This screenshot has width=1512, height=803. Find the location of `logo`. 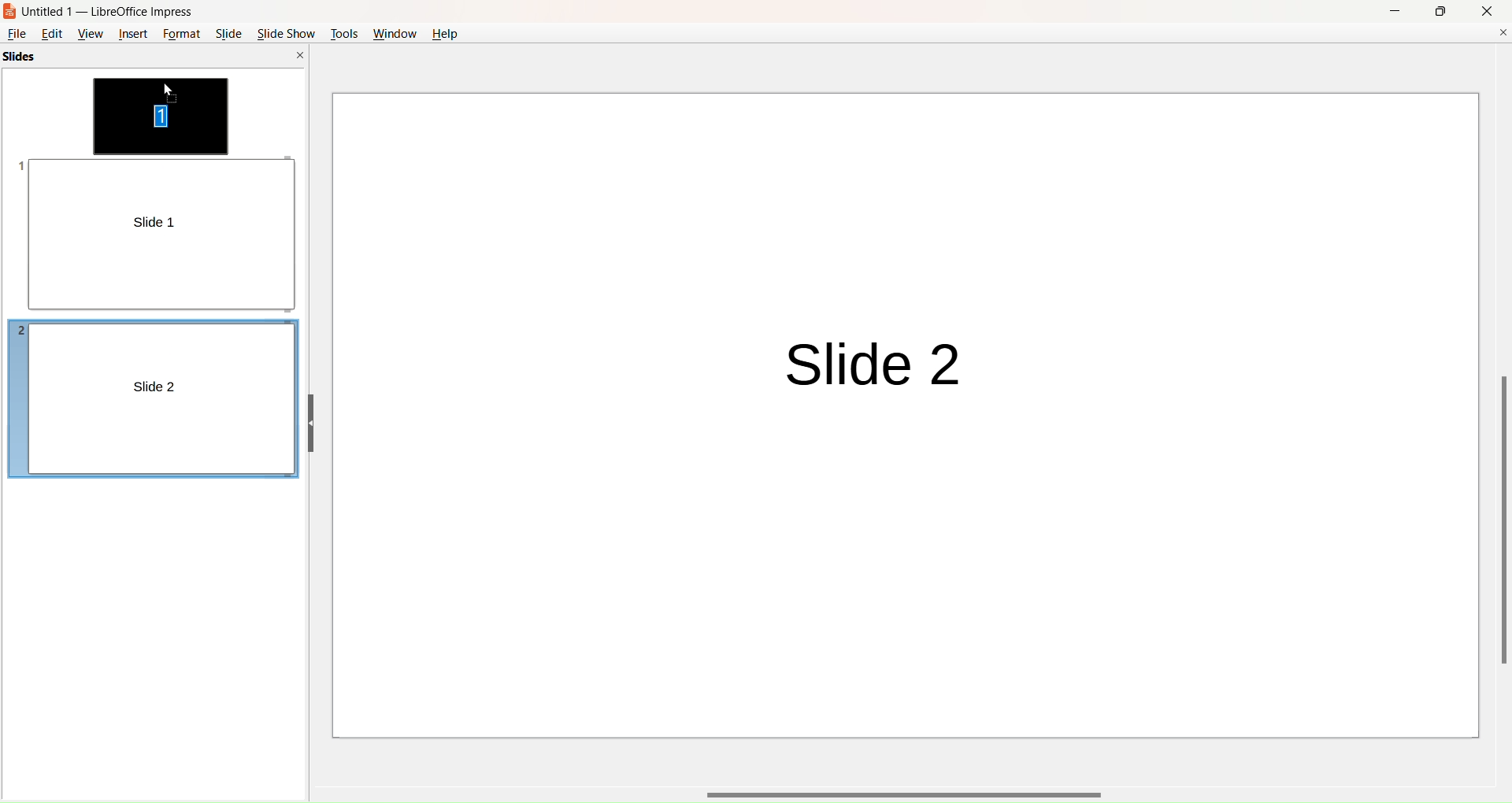

logo is located at coordinates (13, 11).